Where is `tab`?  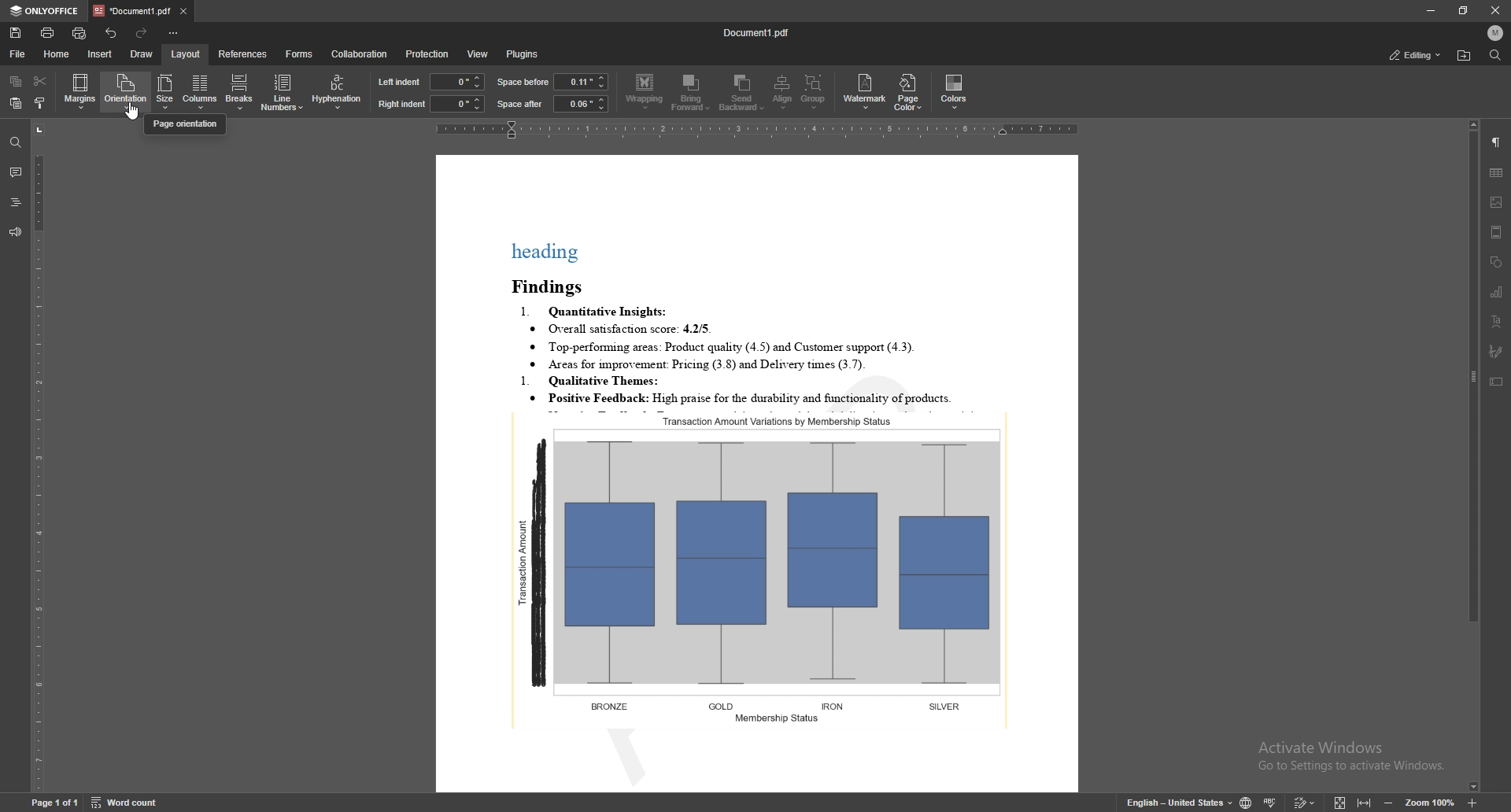
tab is located at coordinates (133, 9).